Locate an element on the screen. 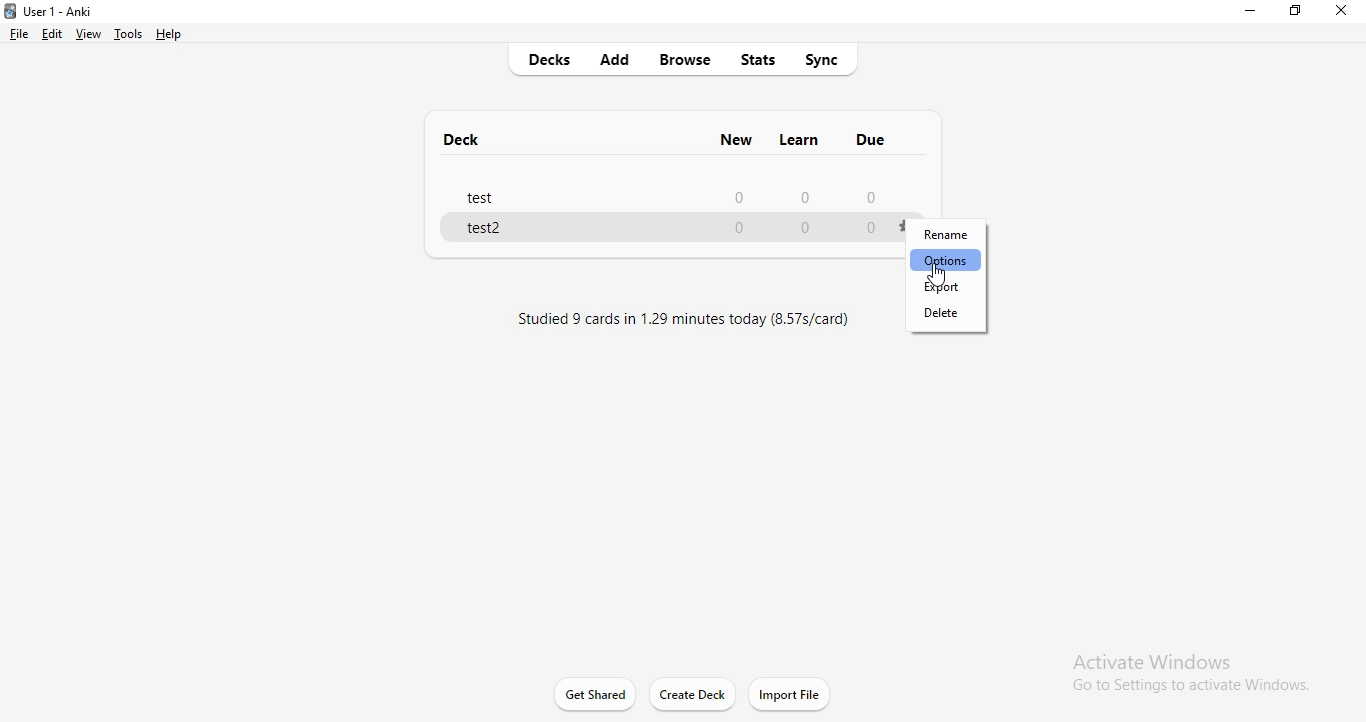  create deck is located at coordinates (695, 696).